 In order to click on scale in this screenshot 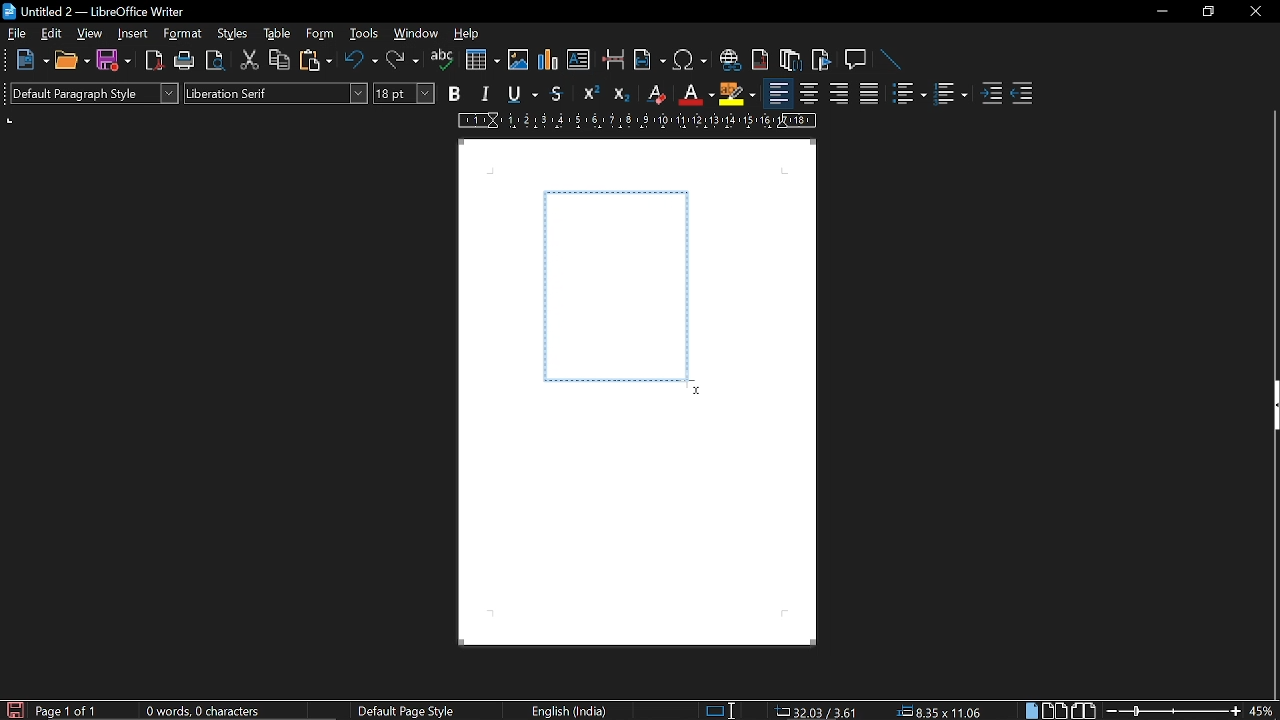, I will do `click(637, 121)`.